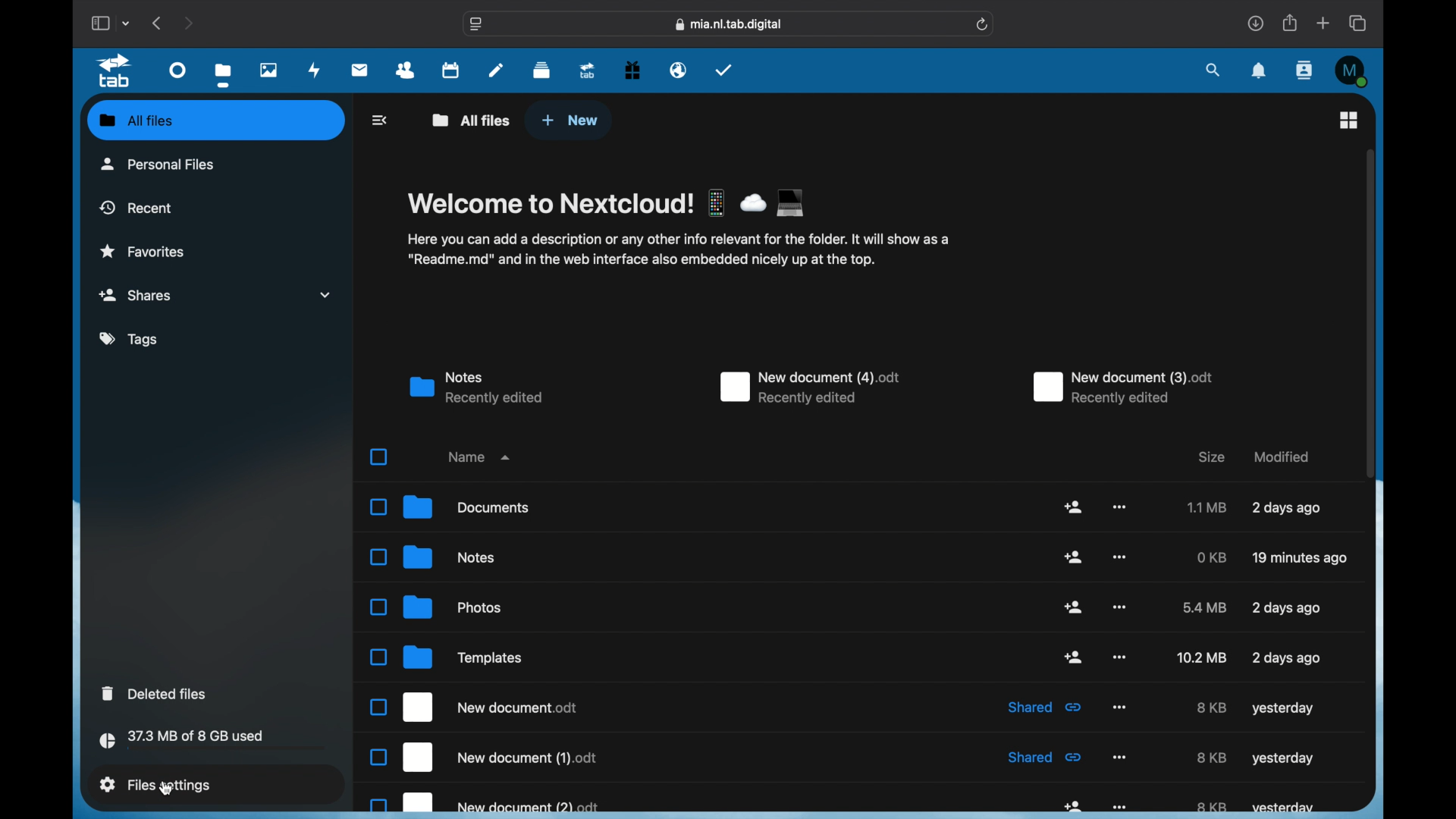 The image size is (1456, 819). I want to click on size, so click(1212, 757).